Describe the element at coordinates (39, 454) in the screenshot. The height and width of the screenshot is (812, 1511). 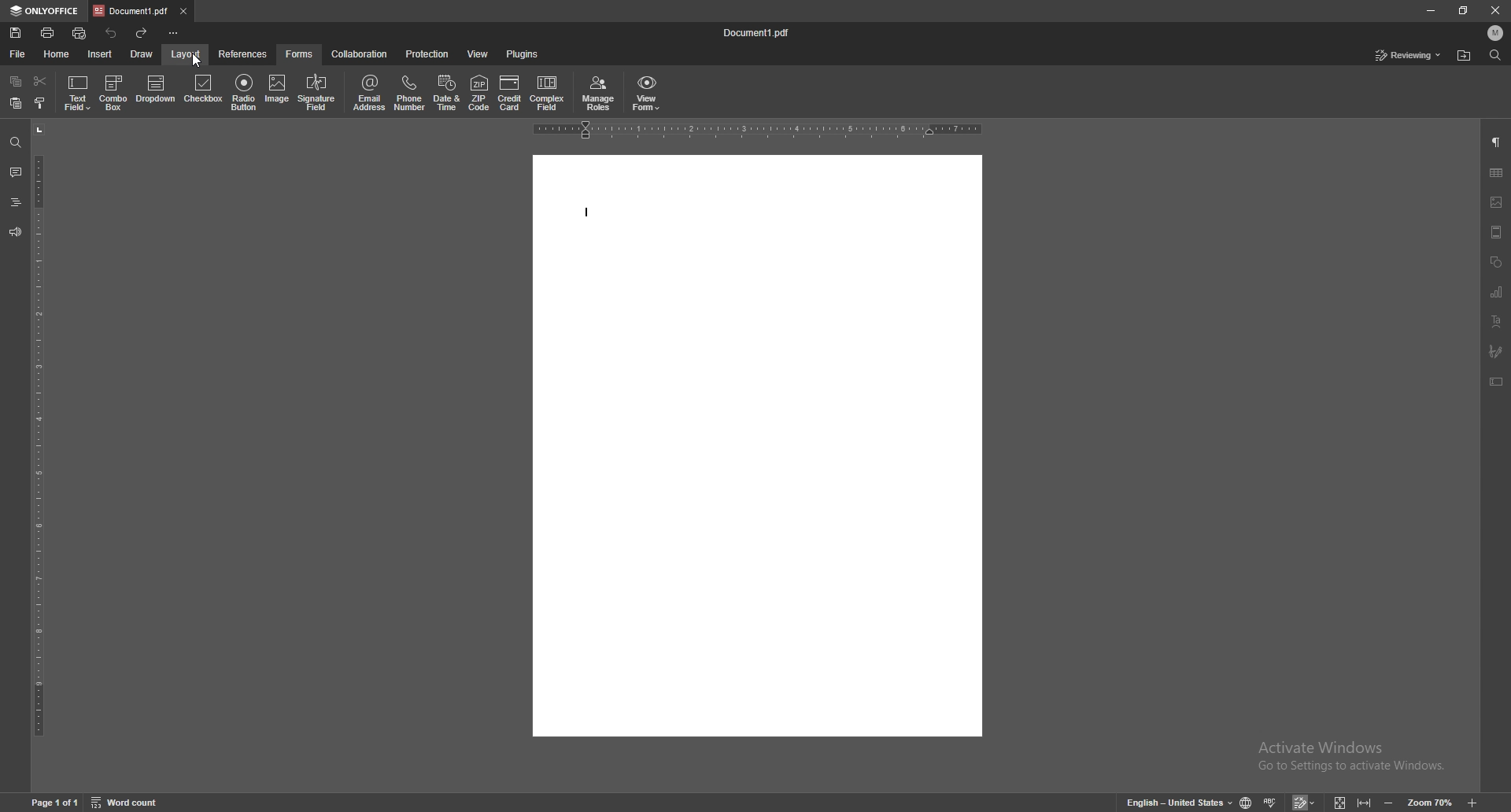
I see `vertical scale` at that location.